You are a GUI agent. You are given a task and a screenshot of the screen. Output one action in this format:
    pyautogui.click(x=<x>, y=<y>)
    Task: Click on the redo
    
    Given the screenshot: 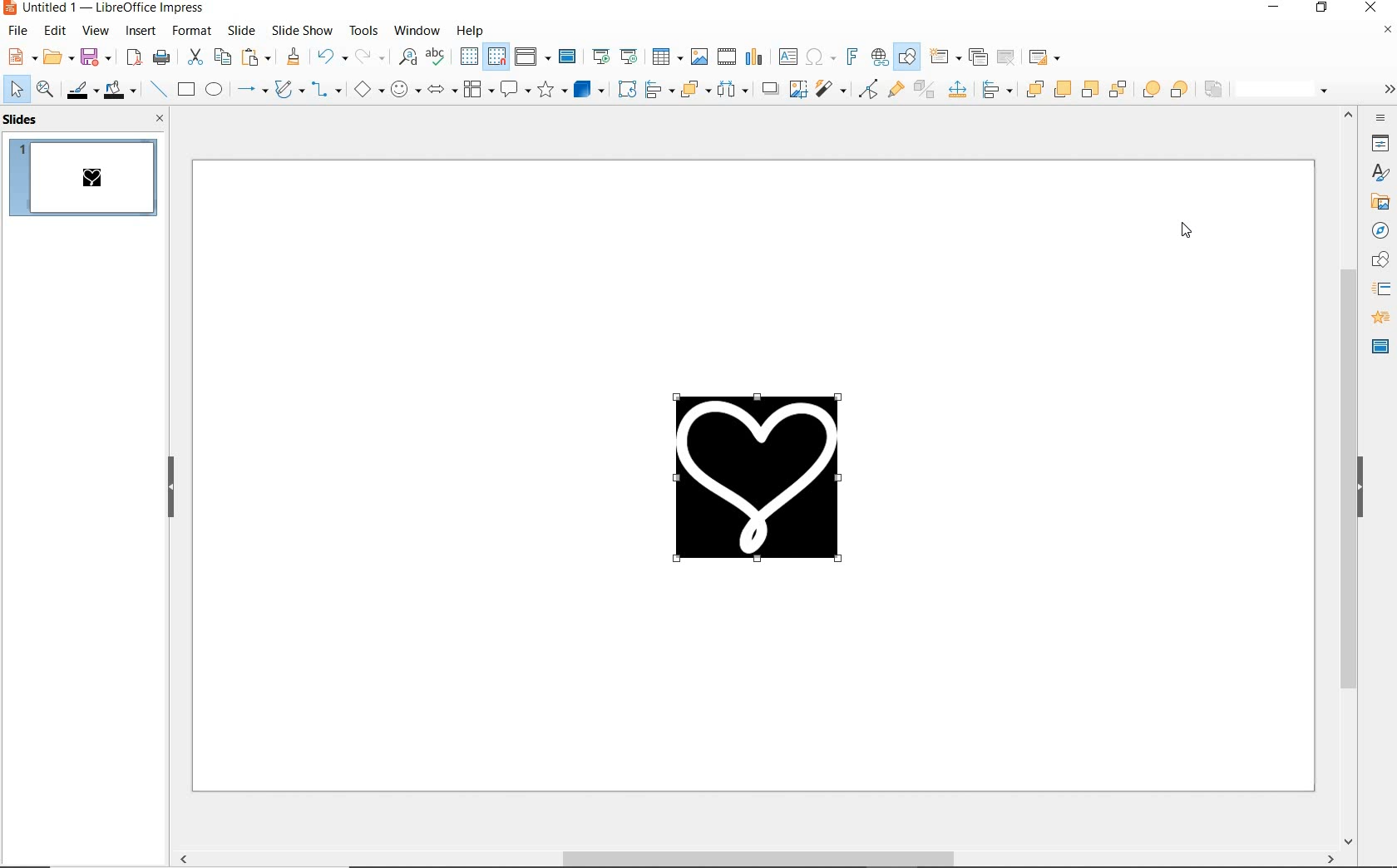 What is the action you would take?
    pyautogui.click(x=369, y=57)
    